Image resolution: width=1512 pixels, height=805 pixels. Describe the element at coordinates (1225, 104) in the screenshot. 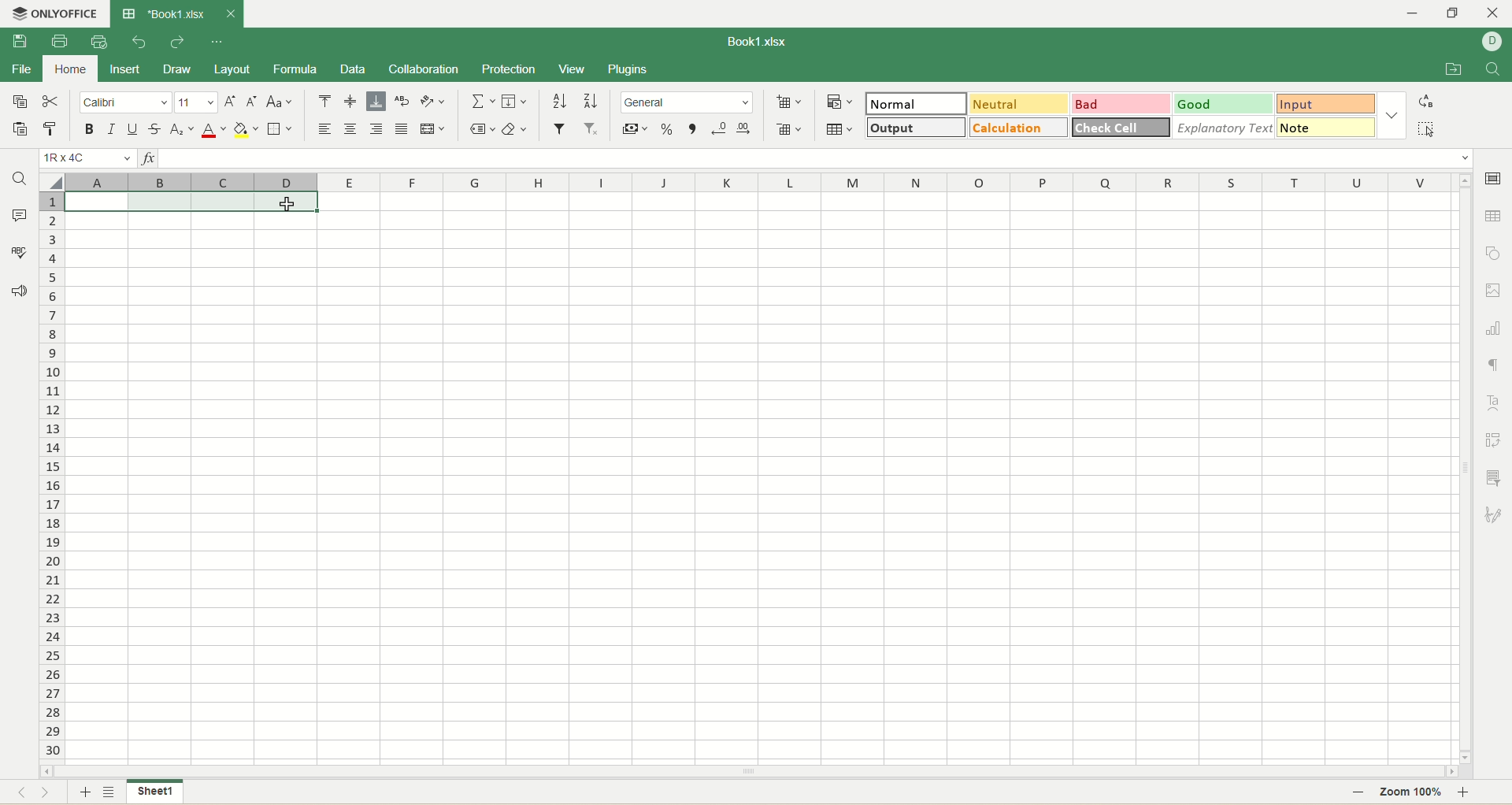

I see `good` at that location.